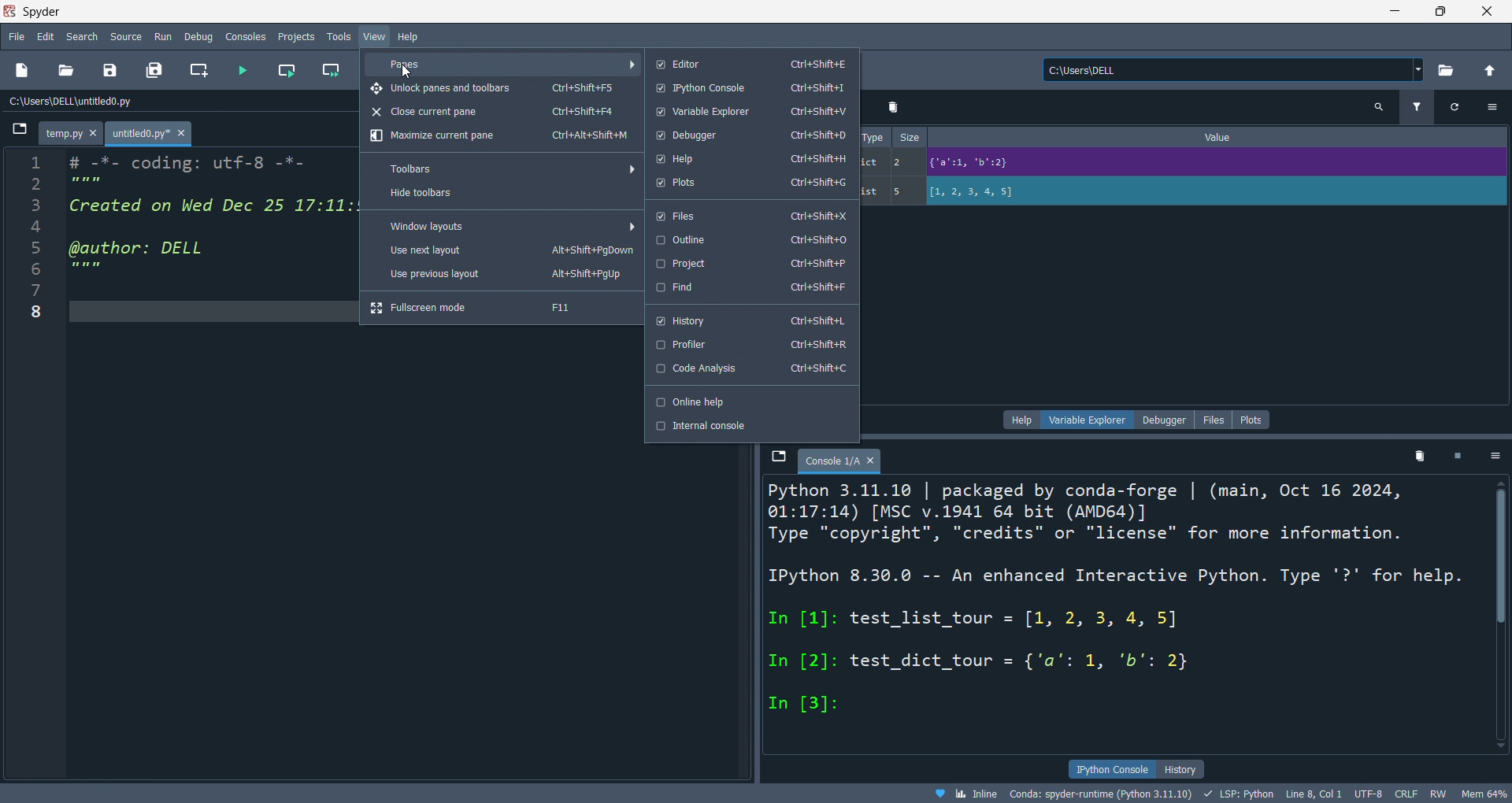  Describe the element at coordinates (750, 288) in the screenshot. I see `find` at that location.